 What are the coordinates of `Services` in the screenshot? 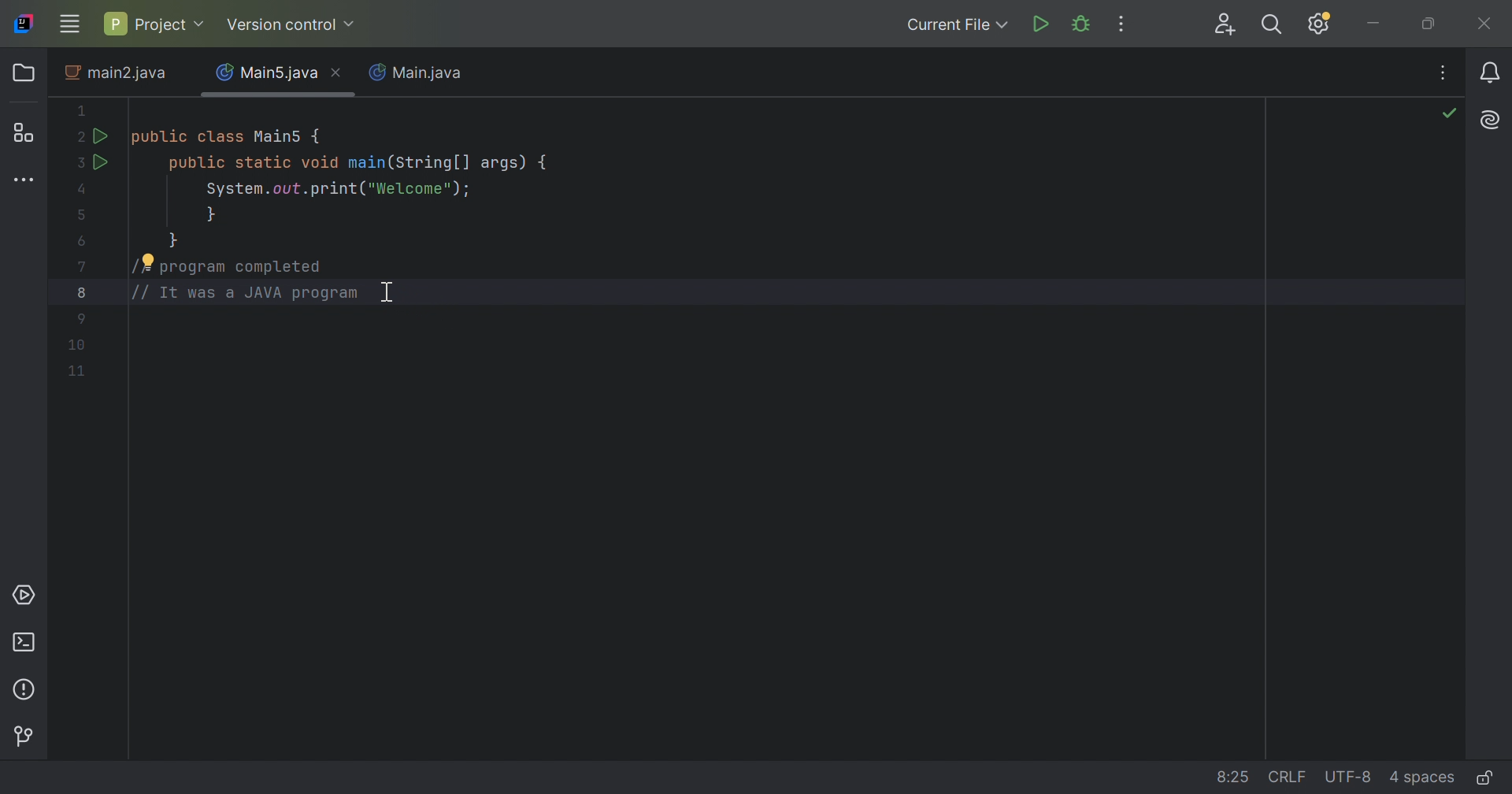 It's located at (28, 597).